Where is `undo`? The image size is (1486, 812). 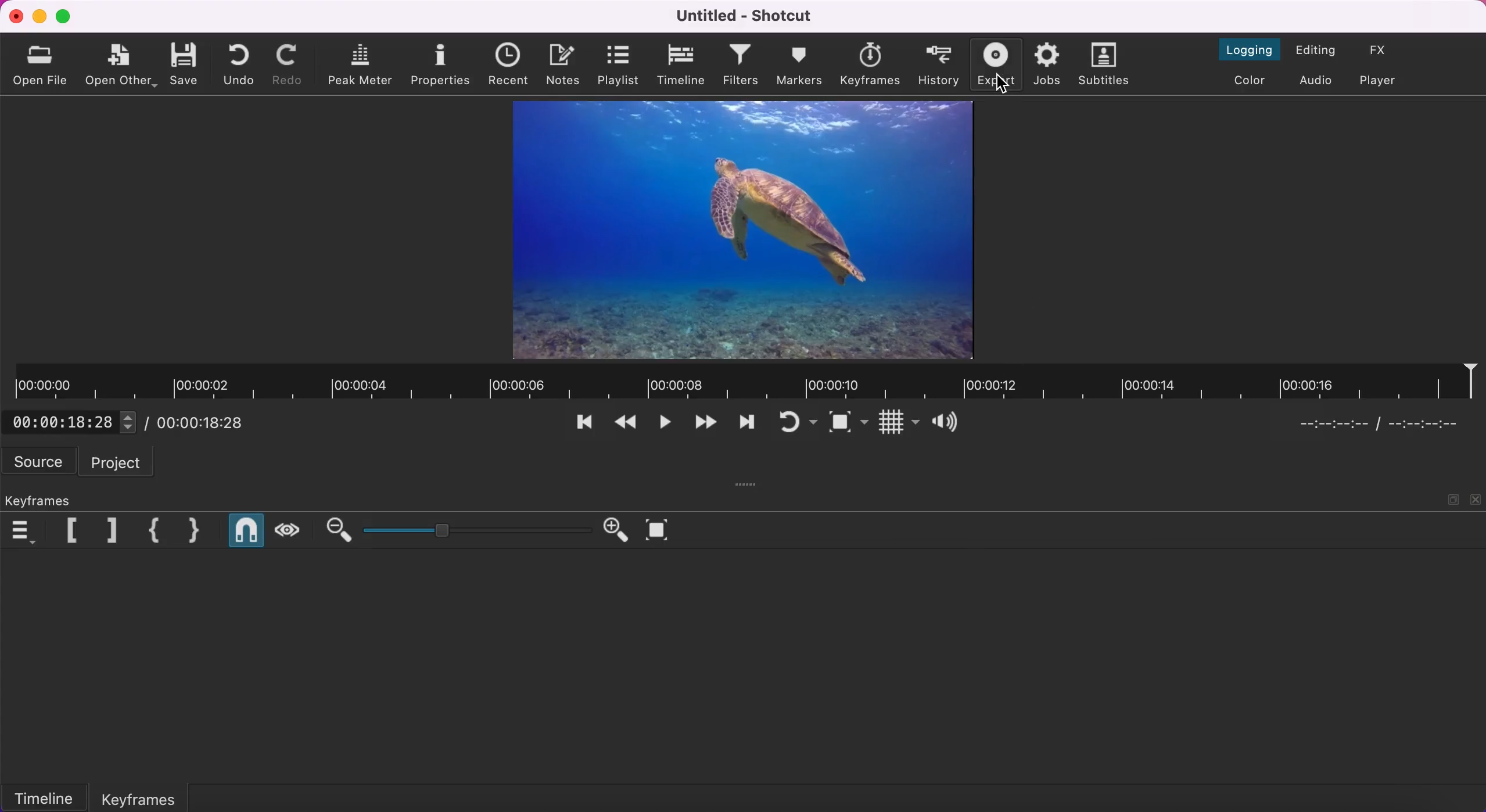 undo is located at coordinates (242, 64).